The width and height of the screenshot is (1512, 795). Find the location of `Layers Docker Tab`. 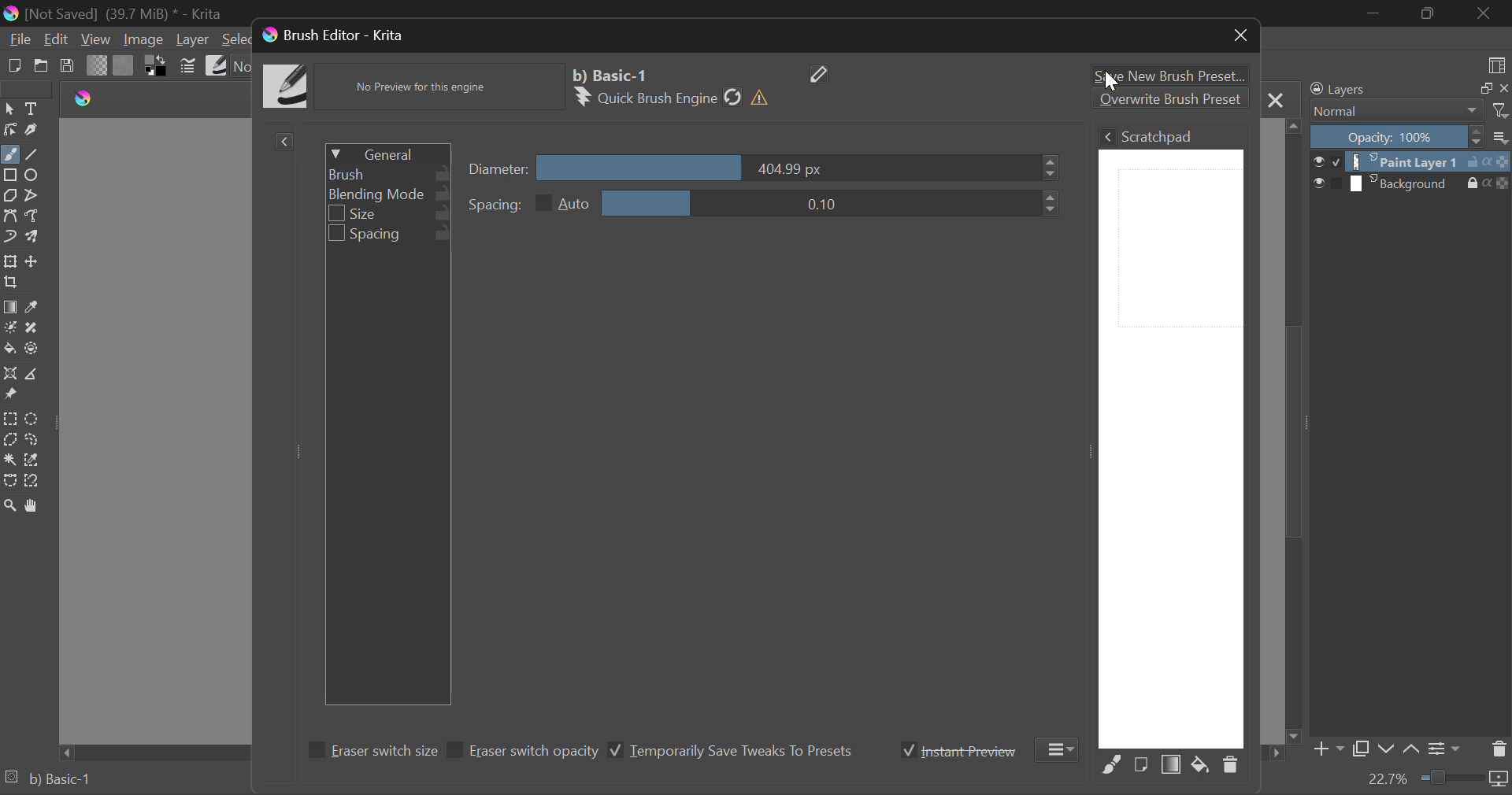

Layers Docker Tab is located at coordinates (1408, 89).